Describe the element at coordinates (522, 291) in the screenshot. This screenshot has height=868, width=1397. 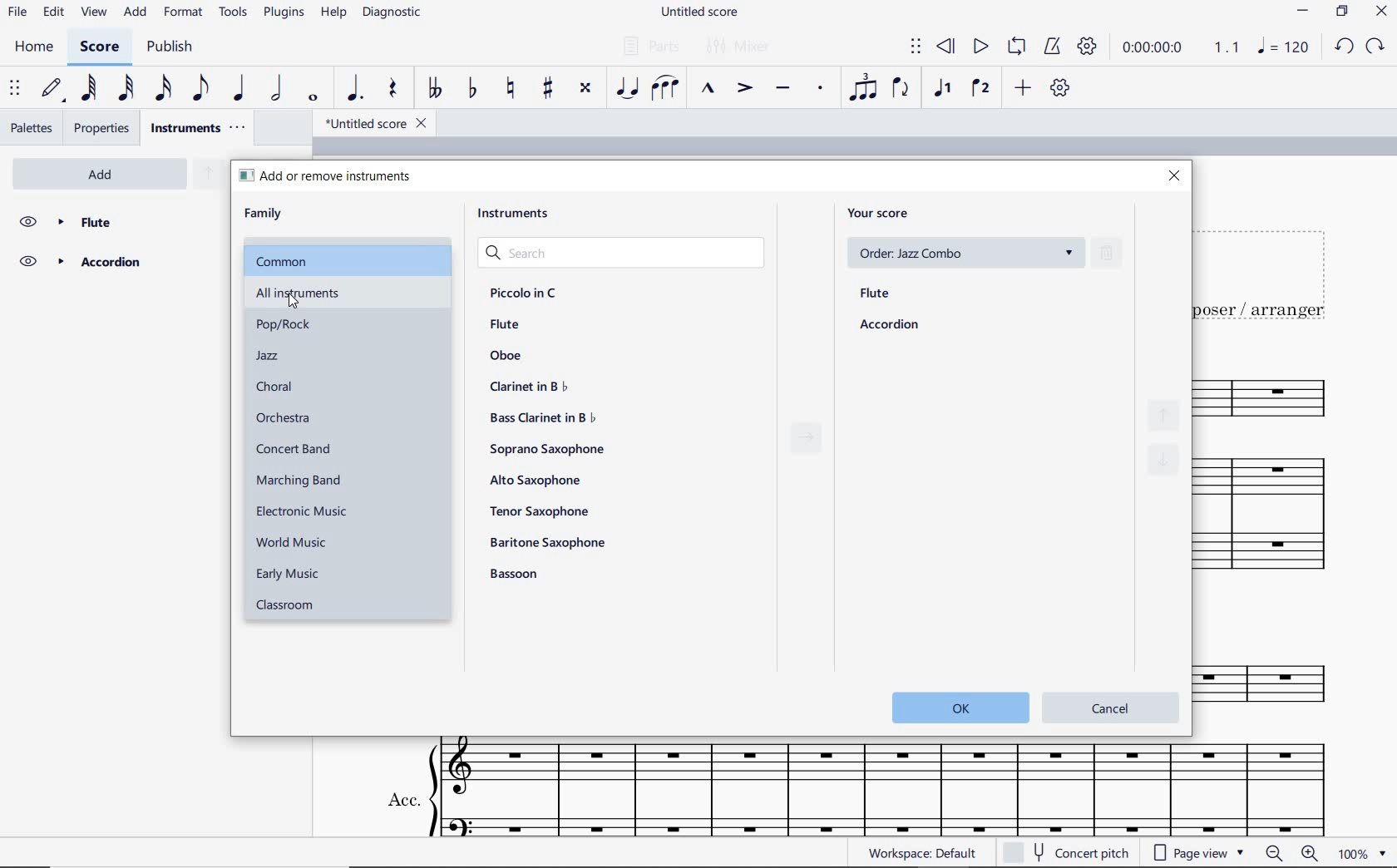
I see `piccolo in c` at that location.